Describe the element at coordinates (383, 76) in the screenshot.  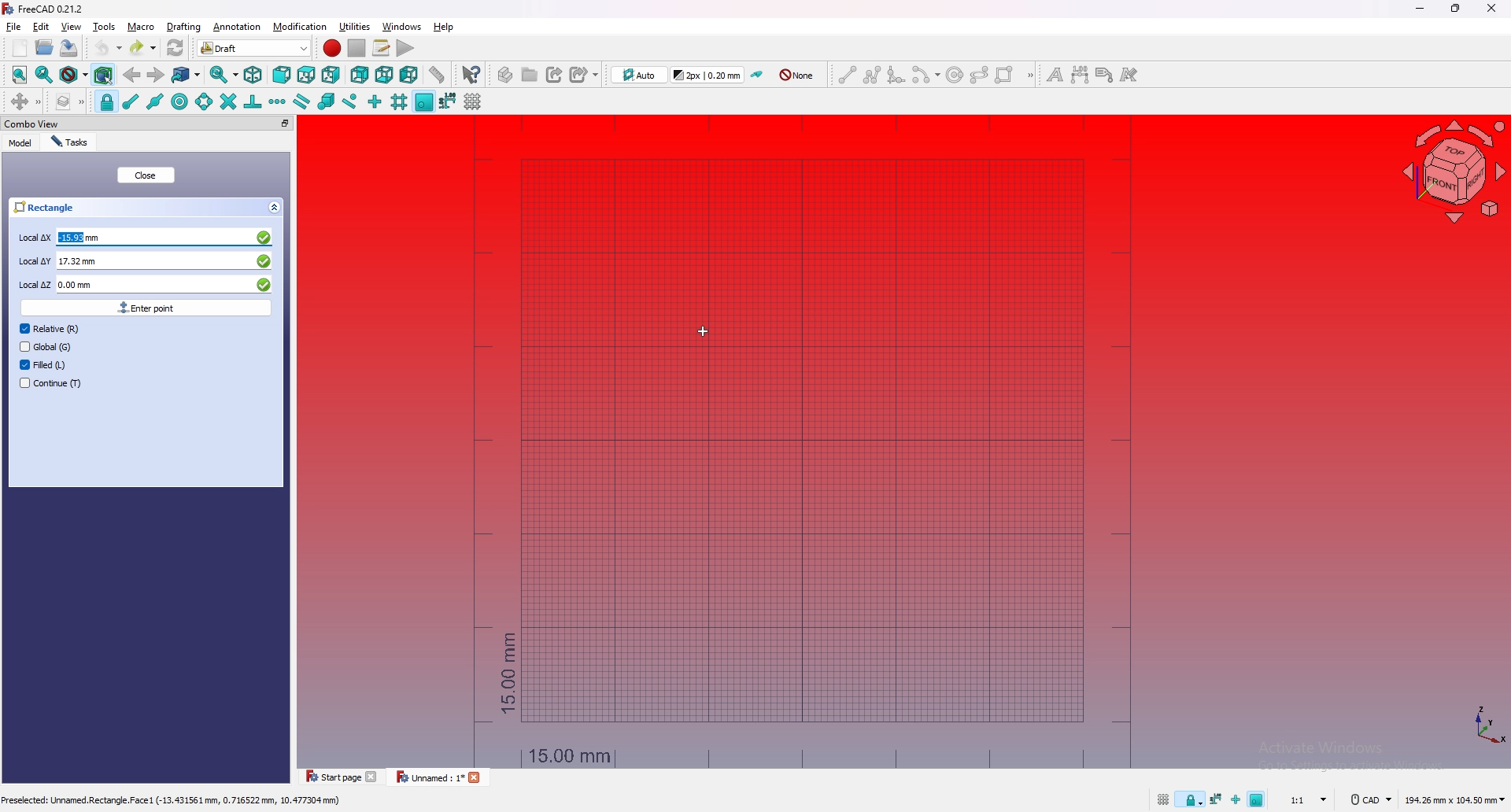
I see `bottom` at that location.